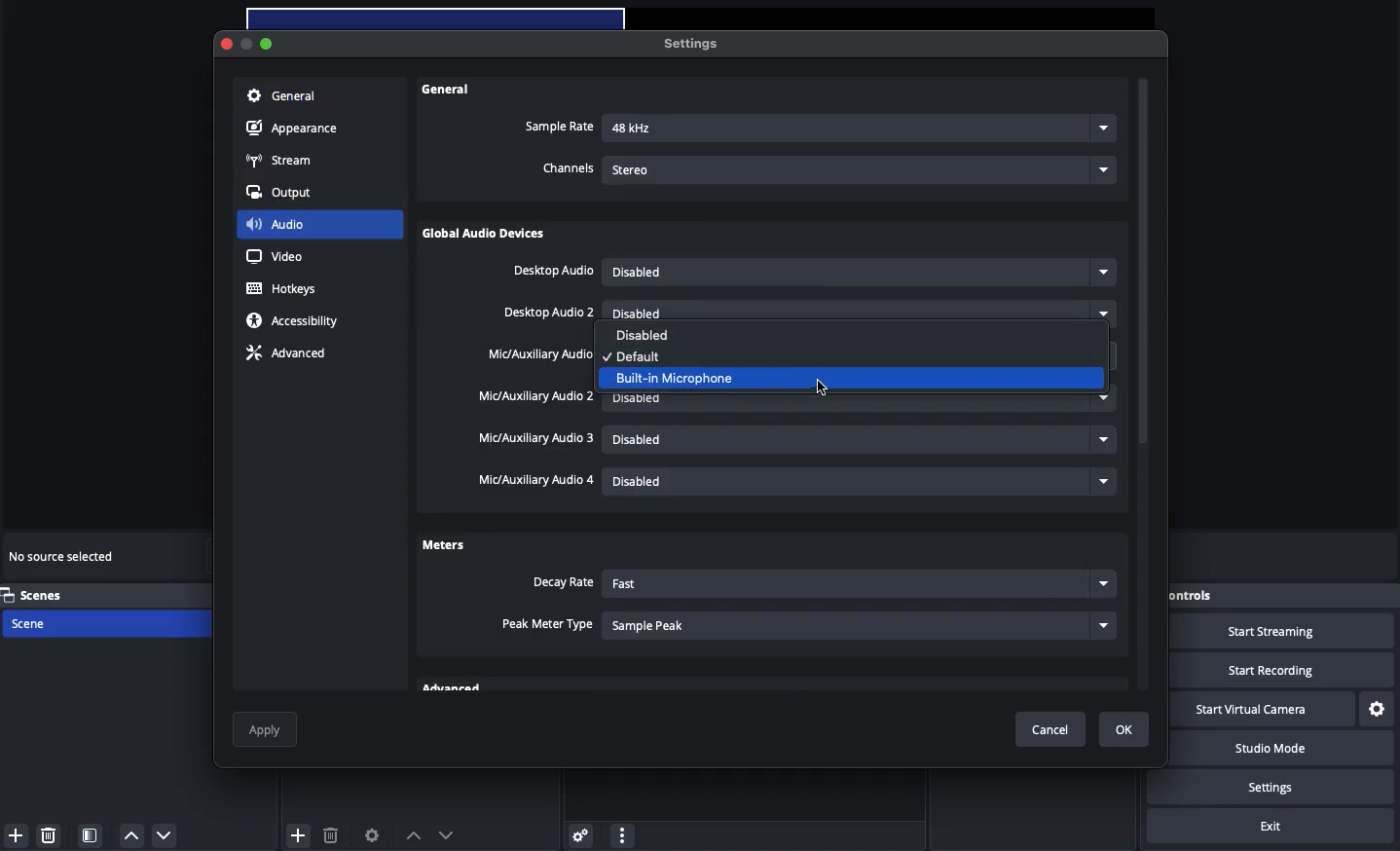  Describe the element at coordinates (548, 625) in the screenshot. I see `Snap sensitivity` at that location.